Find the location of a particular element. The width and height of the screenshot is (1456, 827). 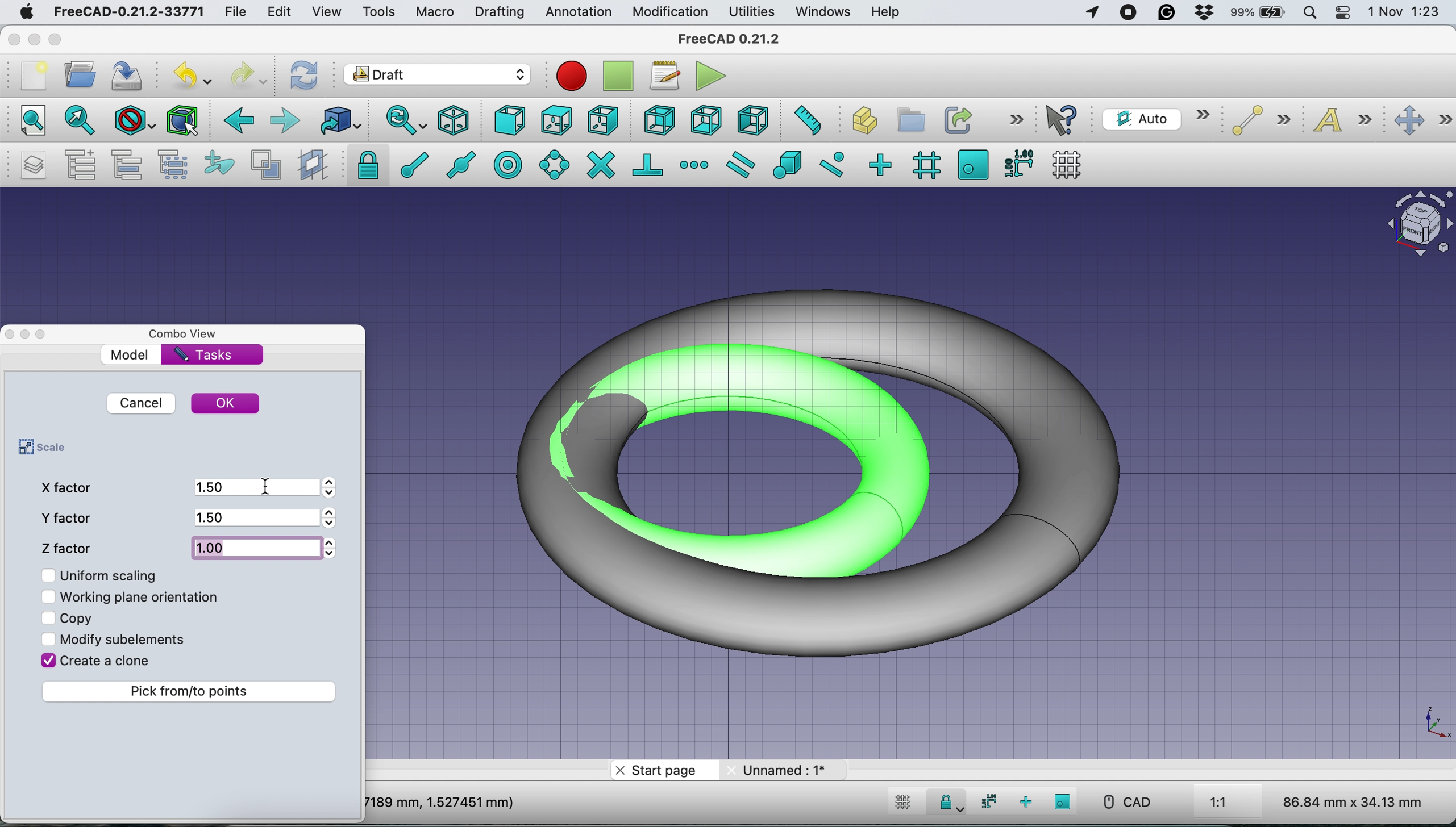

screen recorder is located at coordinates (1129, 15).